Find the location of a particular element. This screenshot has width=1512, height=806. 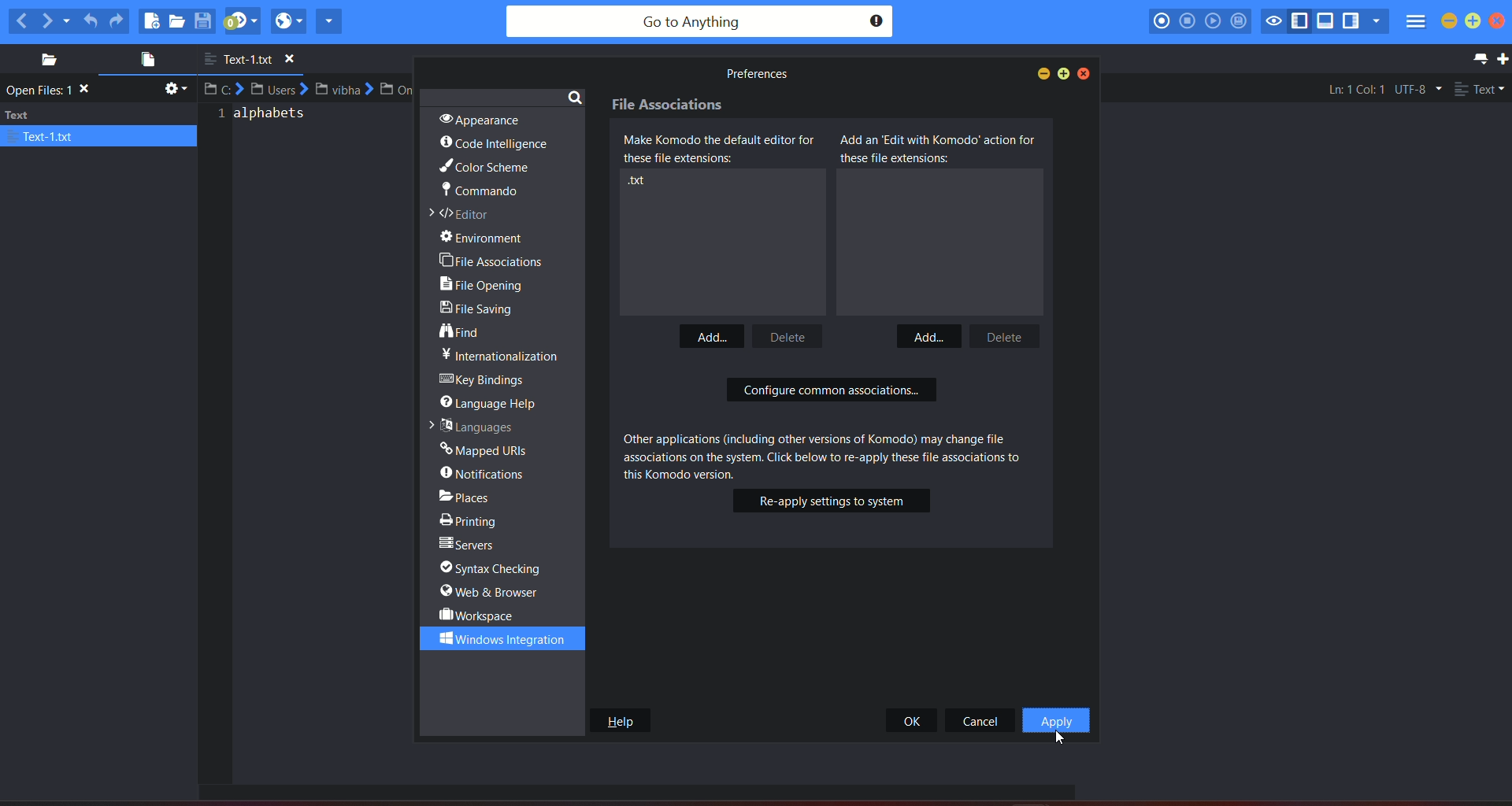

file encoding is located at coordinates (1417, 89).